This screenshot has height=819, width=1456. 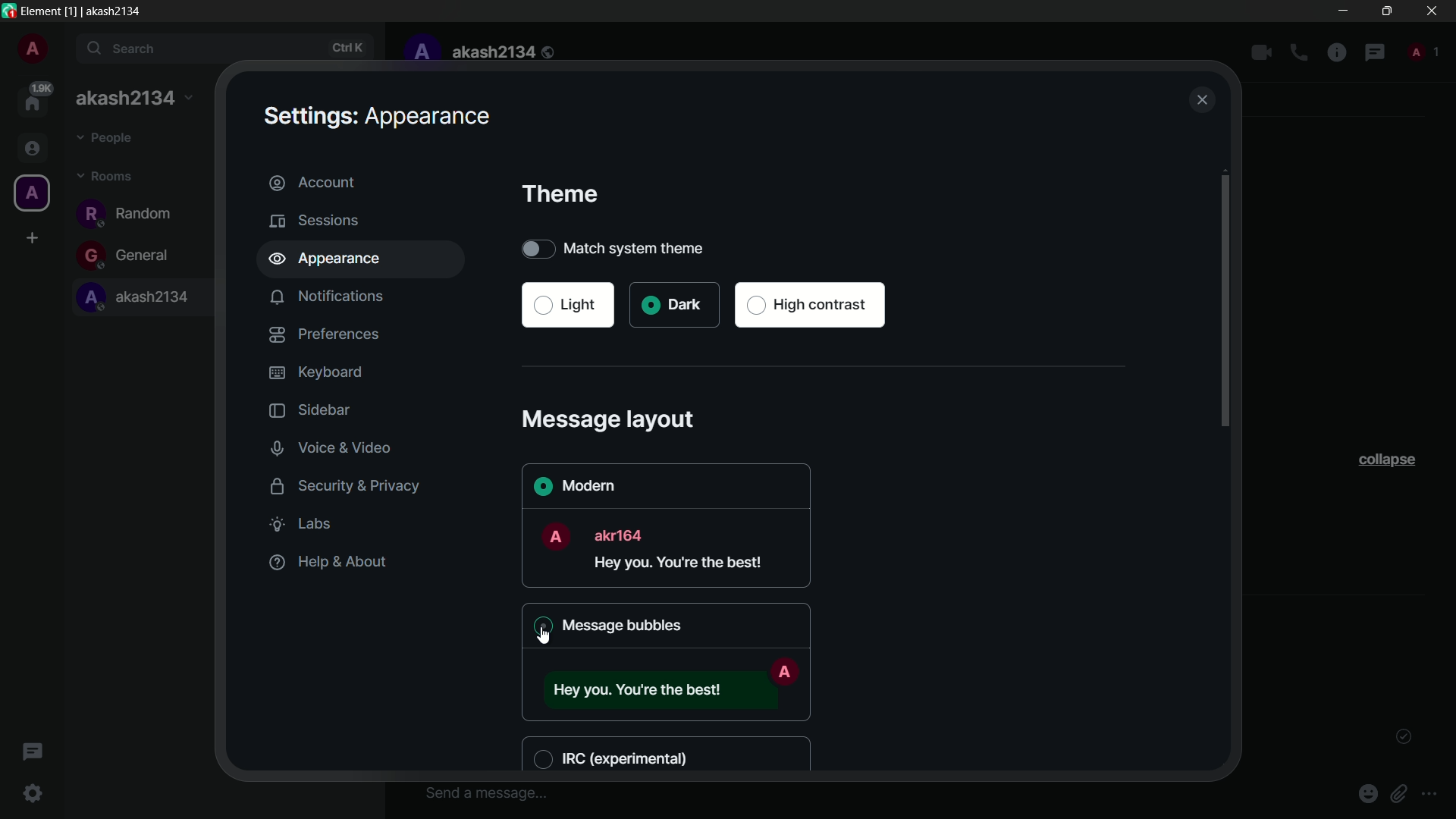 I want to click on room info, so click(x=1337, y=54).